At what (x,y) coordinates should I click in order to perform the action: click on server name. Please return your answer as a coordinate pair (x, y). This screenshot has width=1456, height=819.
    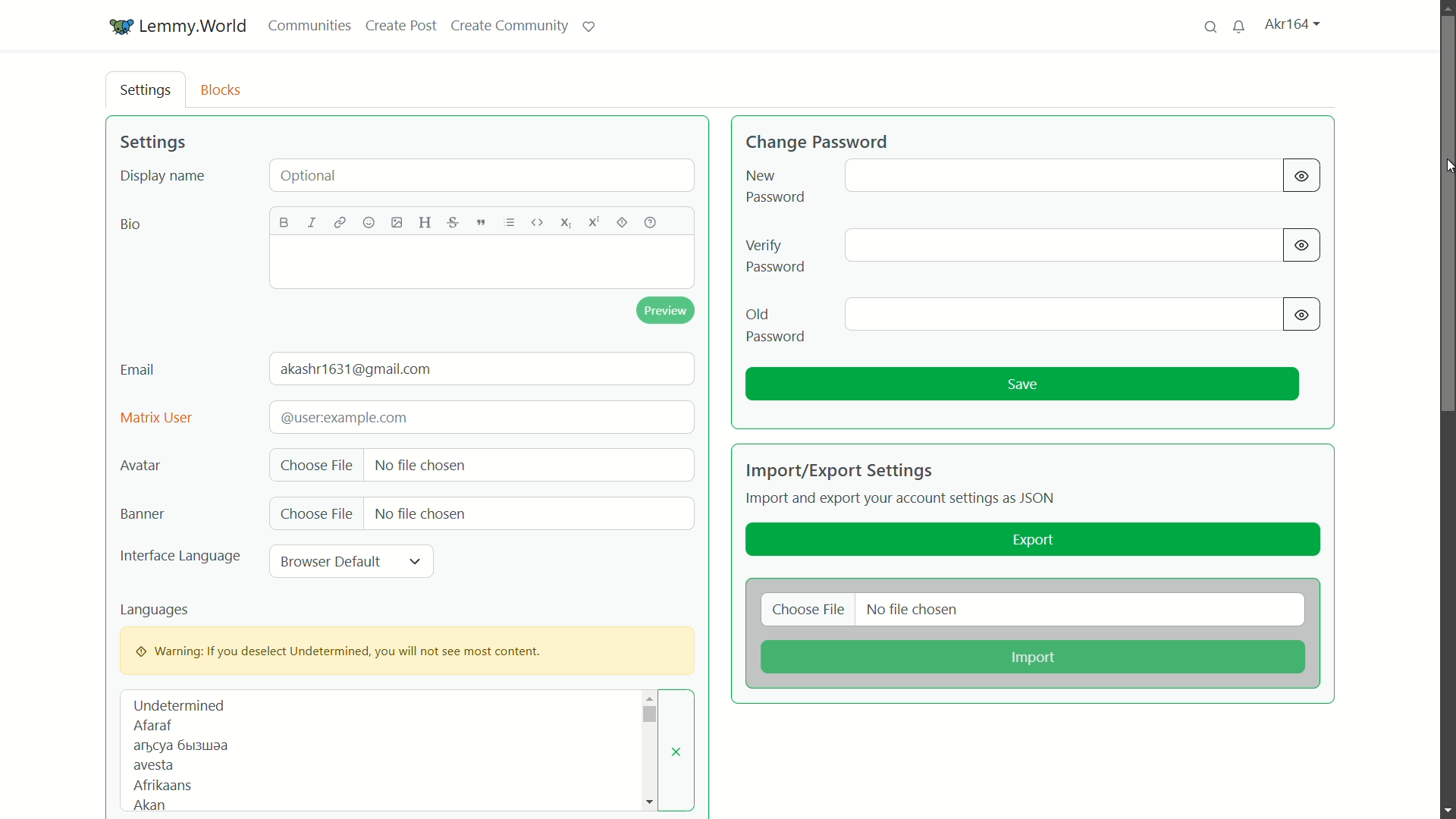
    Looking at the image, I should click on (195, 27).